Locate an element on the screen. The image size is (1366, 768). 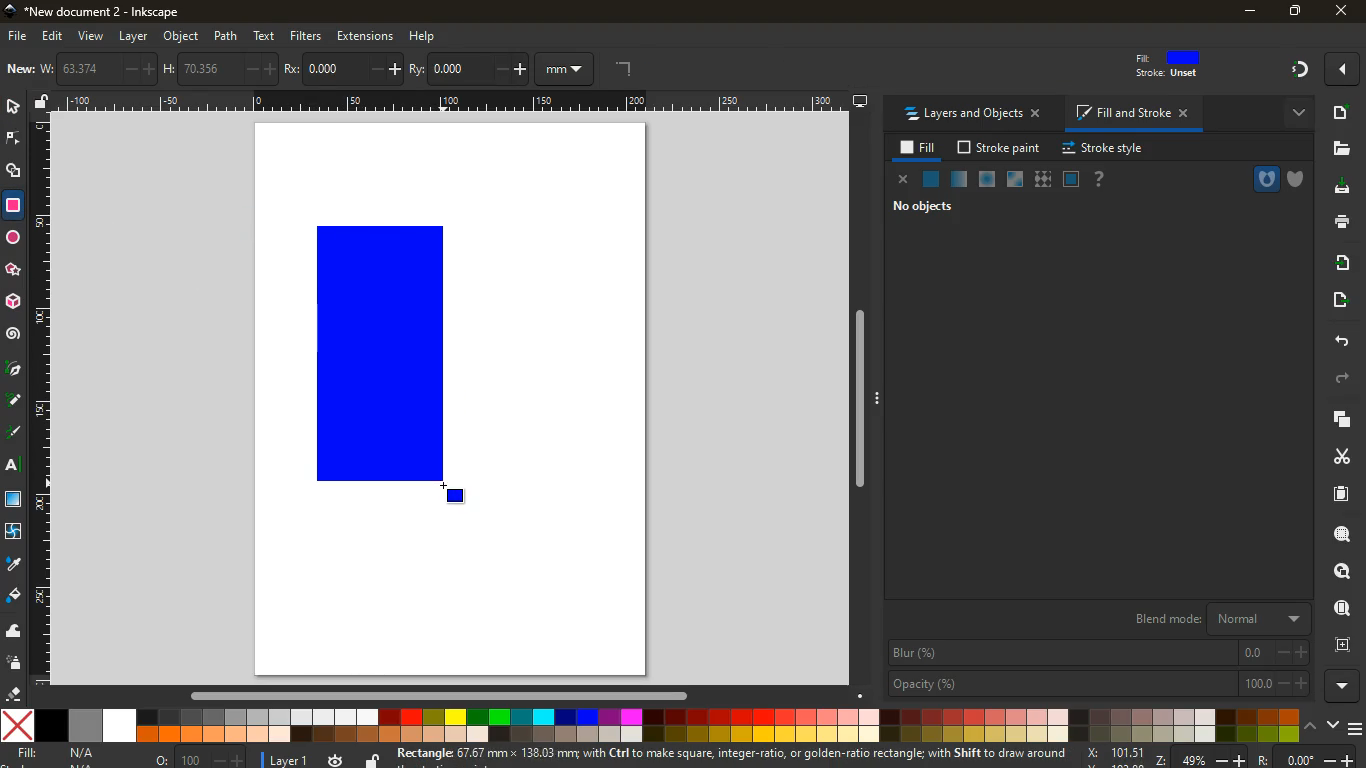
layers is located at coordinates (1342, 420).